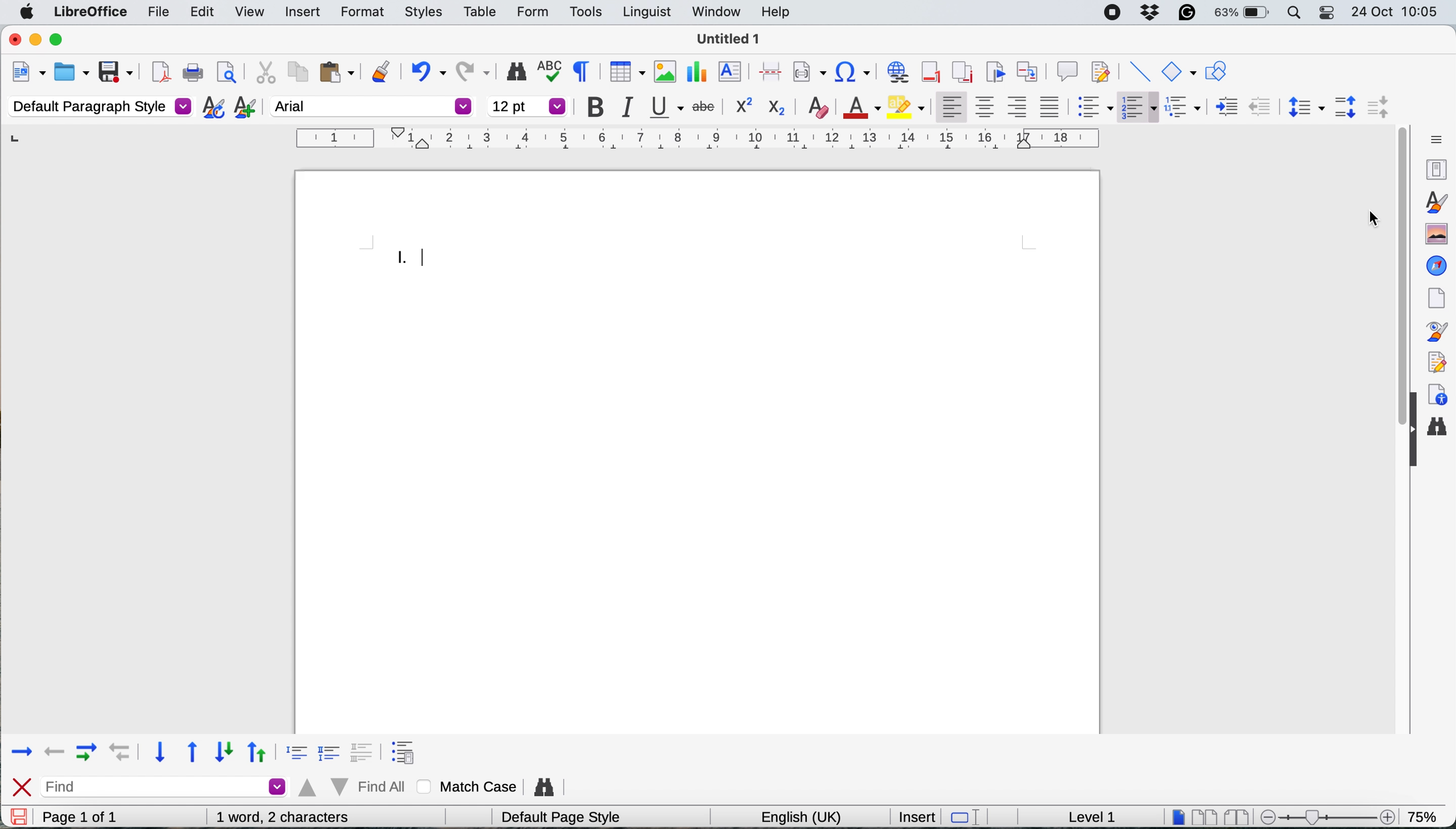 This screenshot has height=829, width=1456. I want to click on help, so click(777, 13).